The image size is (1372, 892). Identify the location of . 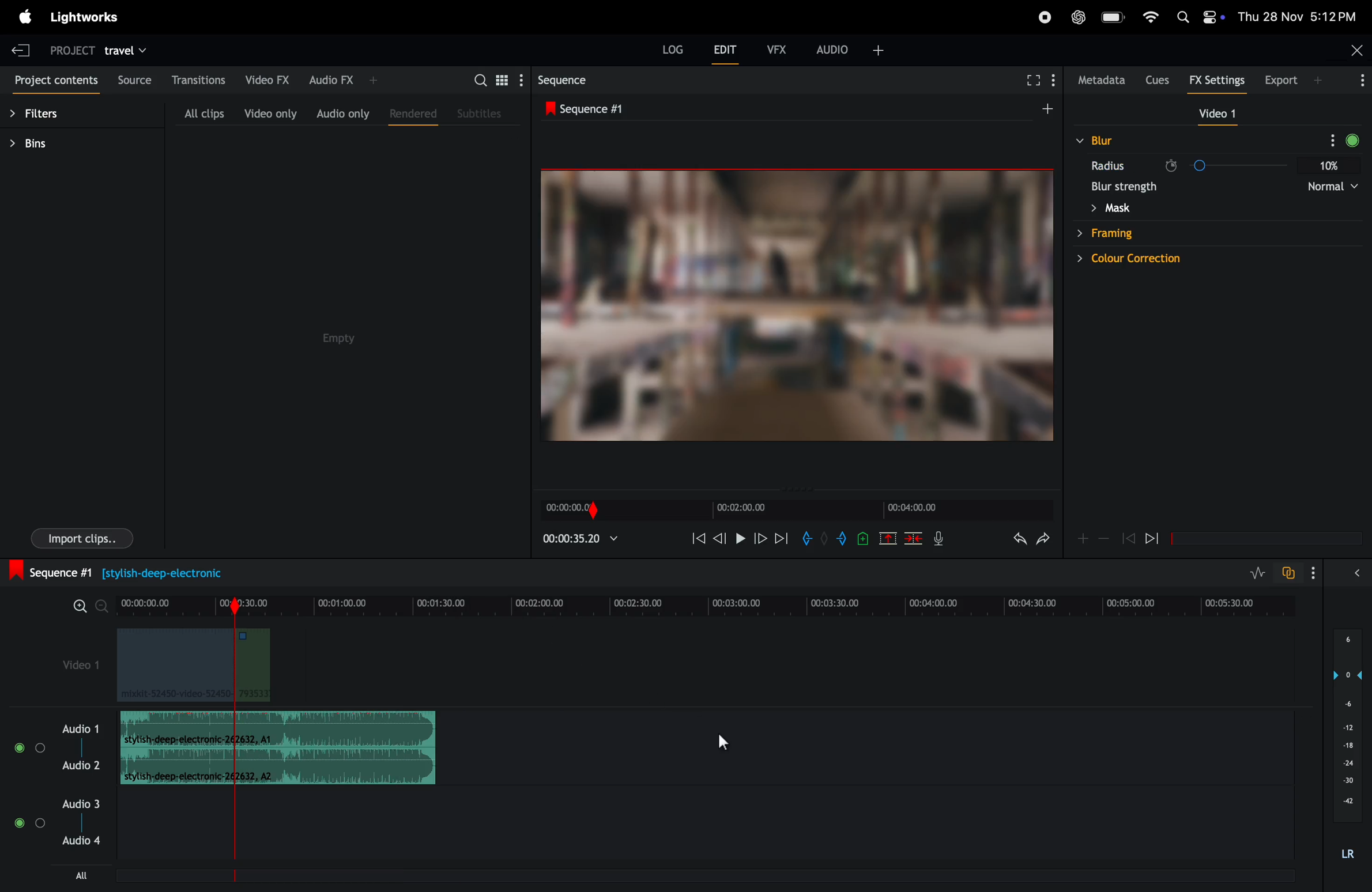
(18, 746).